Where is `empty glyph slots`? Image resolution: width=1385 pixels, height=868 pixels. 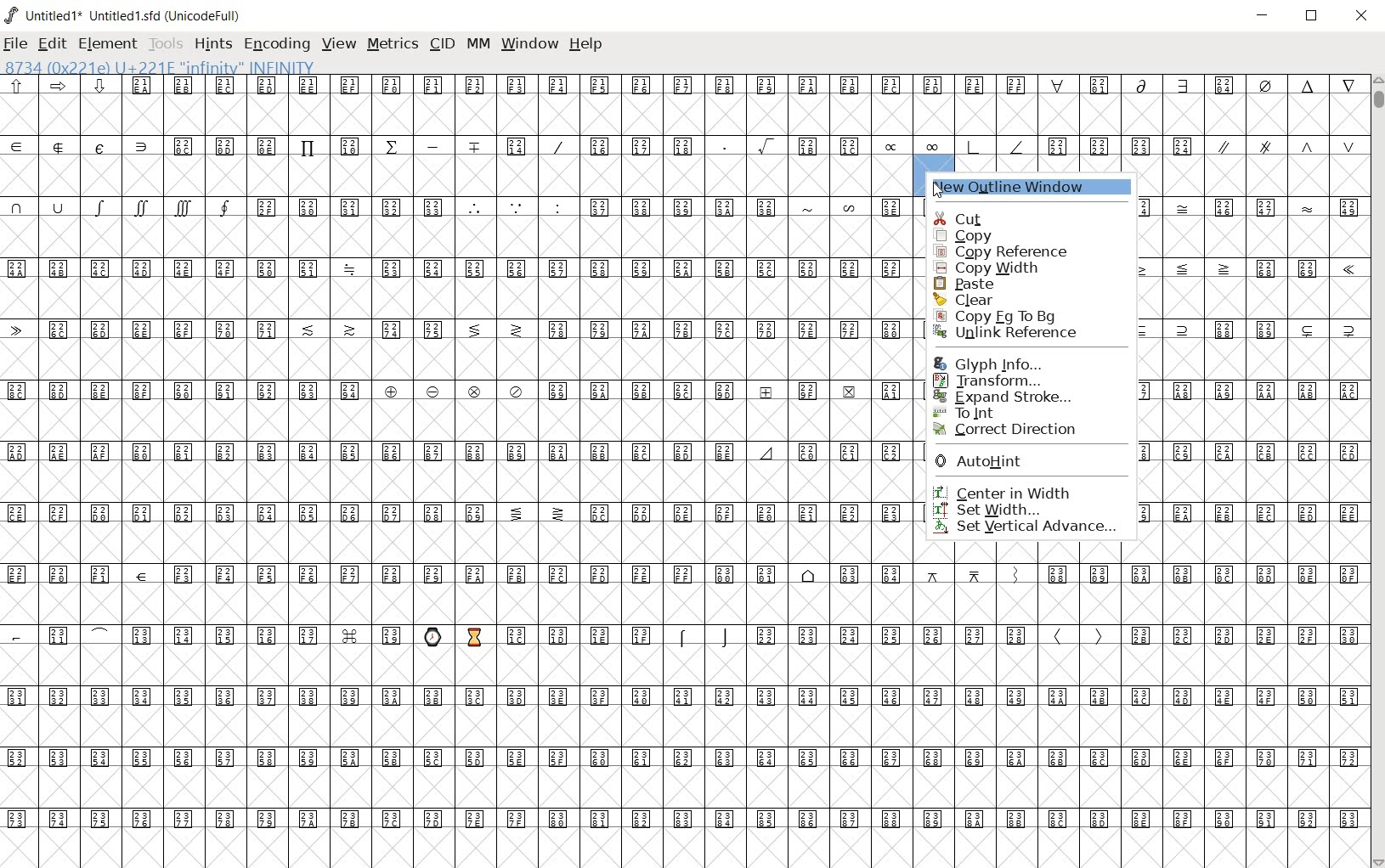
empty glyph slots is located at coordinates (1254, 359).